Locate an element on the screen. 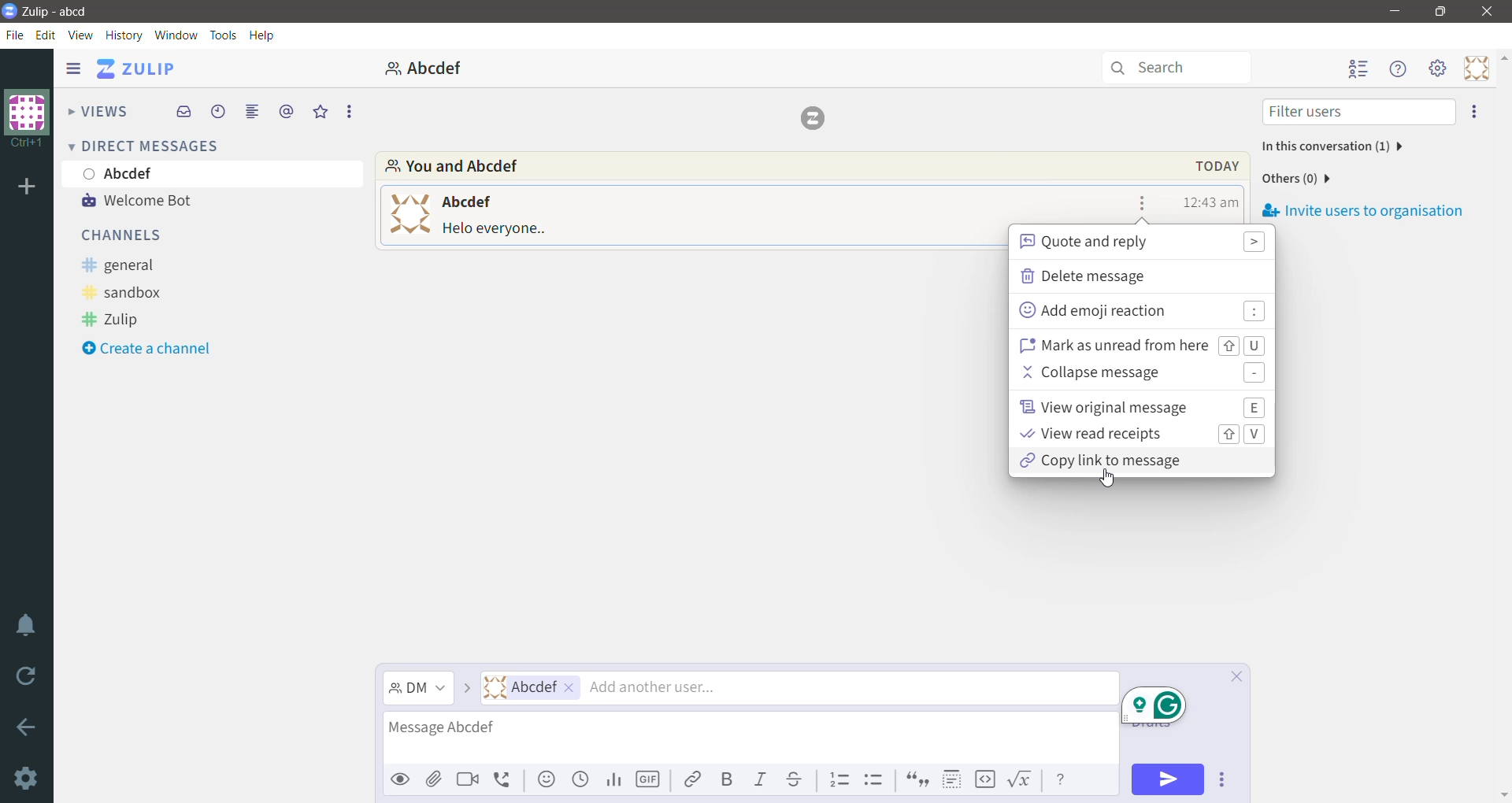  Welcome Bot is located at coordinates (149, 200).